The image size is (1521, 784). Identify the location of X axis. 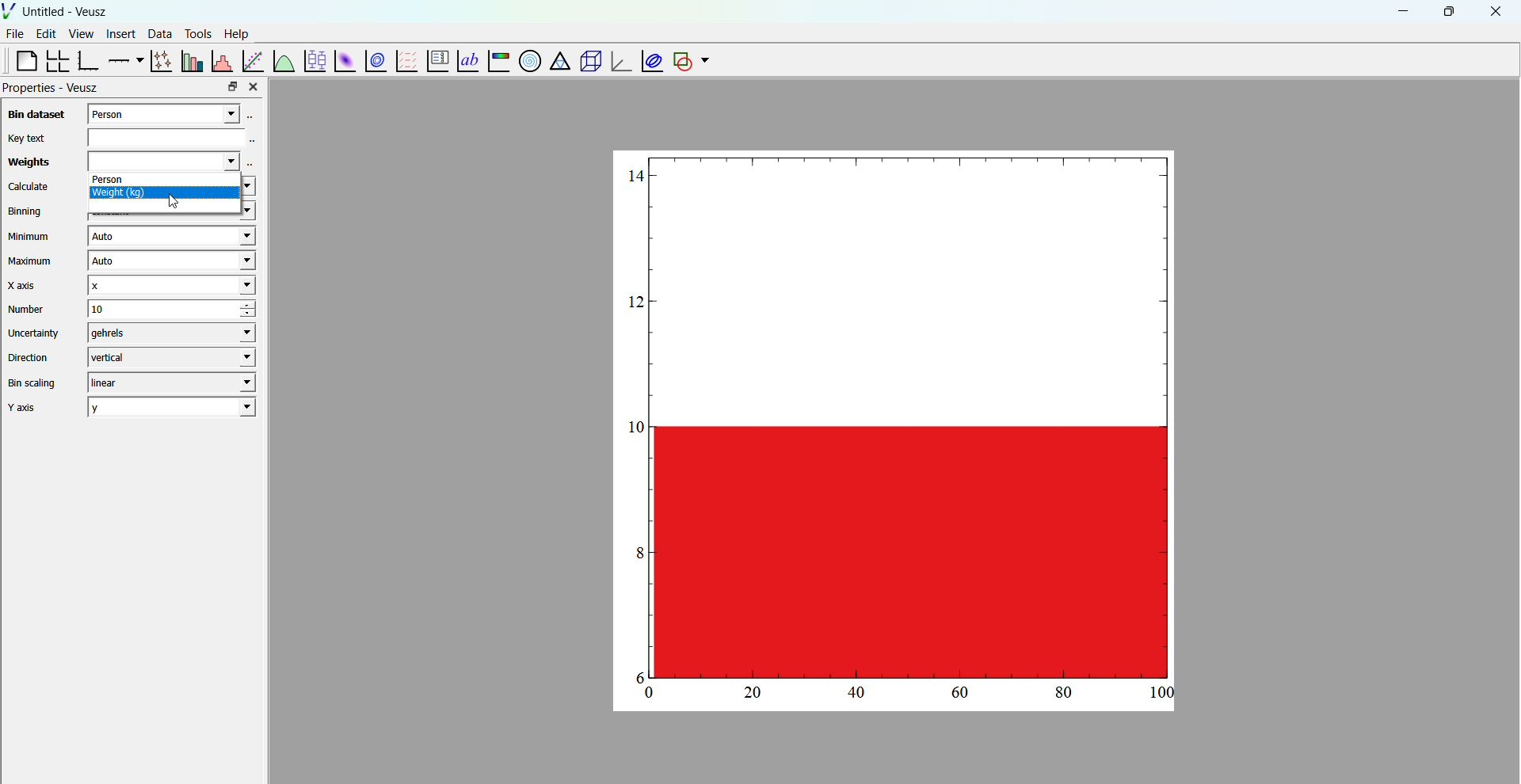
(26, 285).